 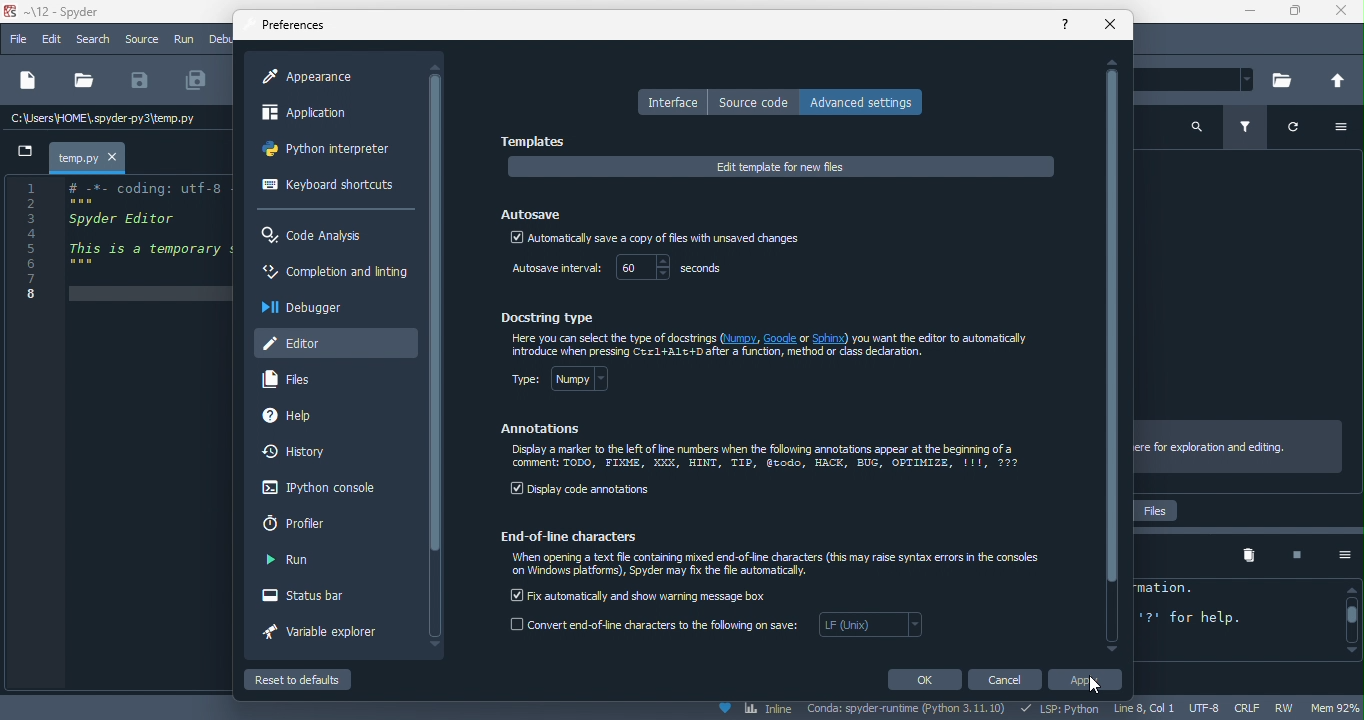 What do you see at coordinates (1293, 14) in the screenshot?
I see `maximize` at bounding box center [1293, 14].